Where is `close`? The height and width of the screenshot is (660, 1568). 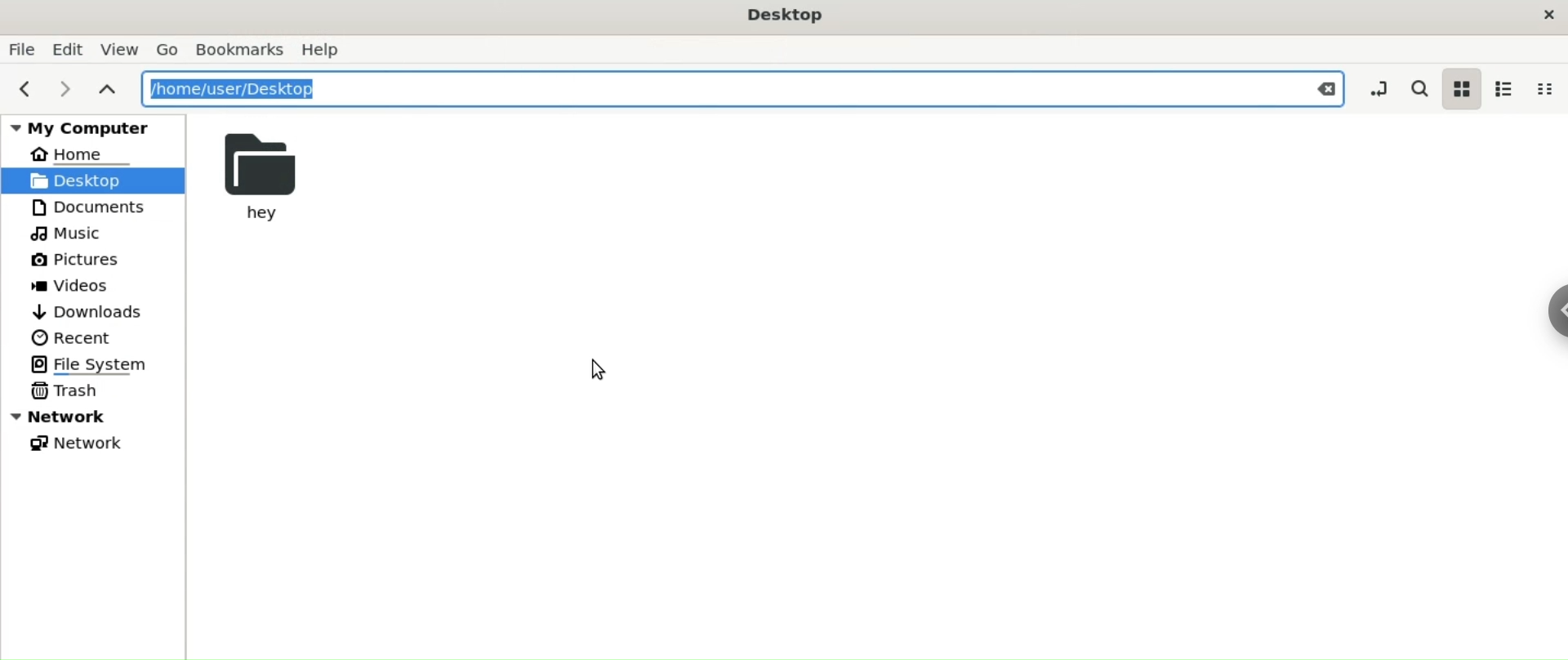 close is located at coordinates (1544, 16).